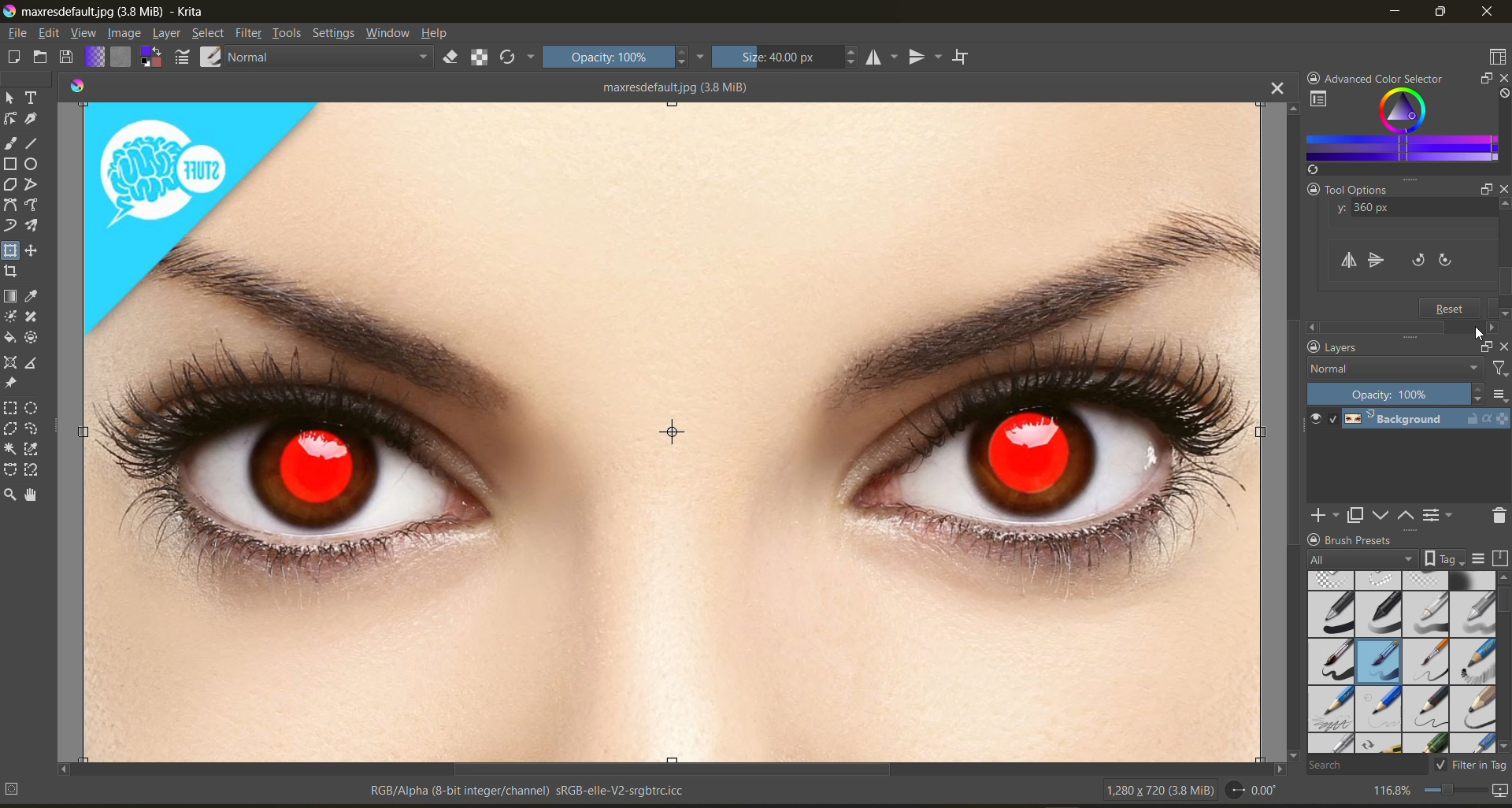 This screenshot has width=1512, height=808. What do you see at coordinates (1503, 195) in the screenshot?
I see `close` at bounding box center [1503, 195].